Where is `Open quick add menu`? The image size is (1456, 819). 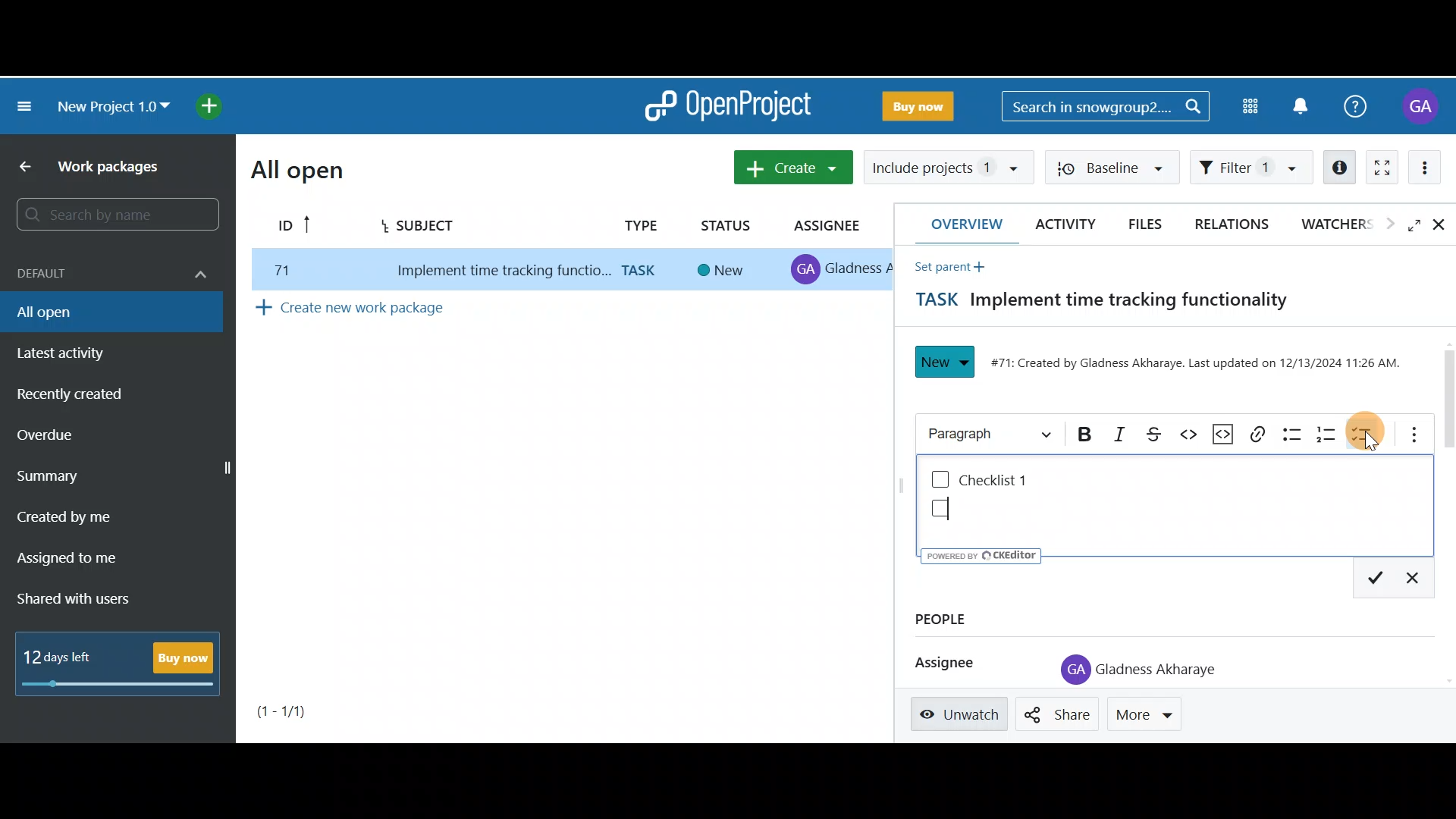 Open quick add menu is located at coordinates (209, 104).